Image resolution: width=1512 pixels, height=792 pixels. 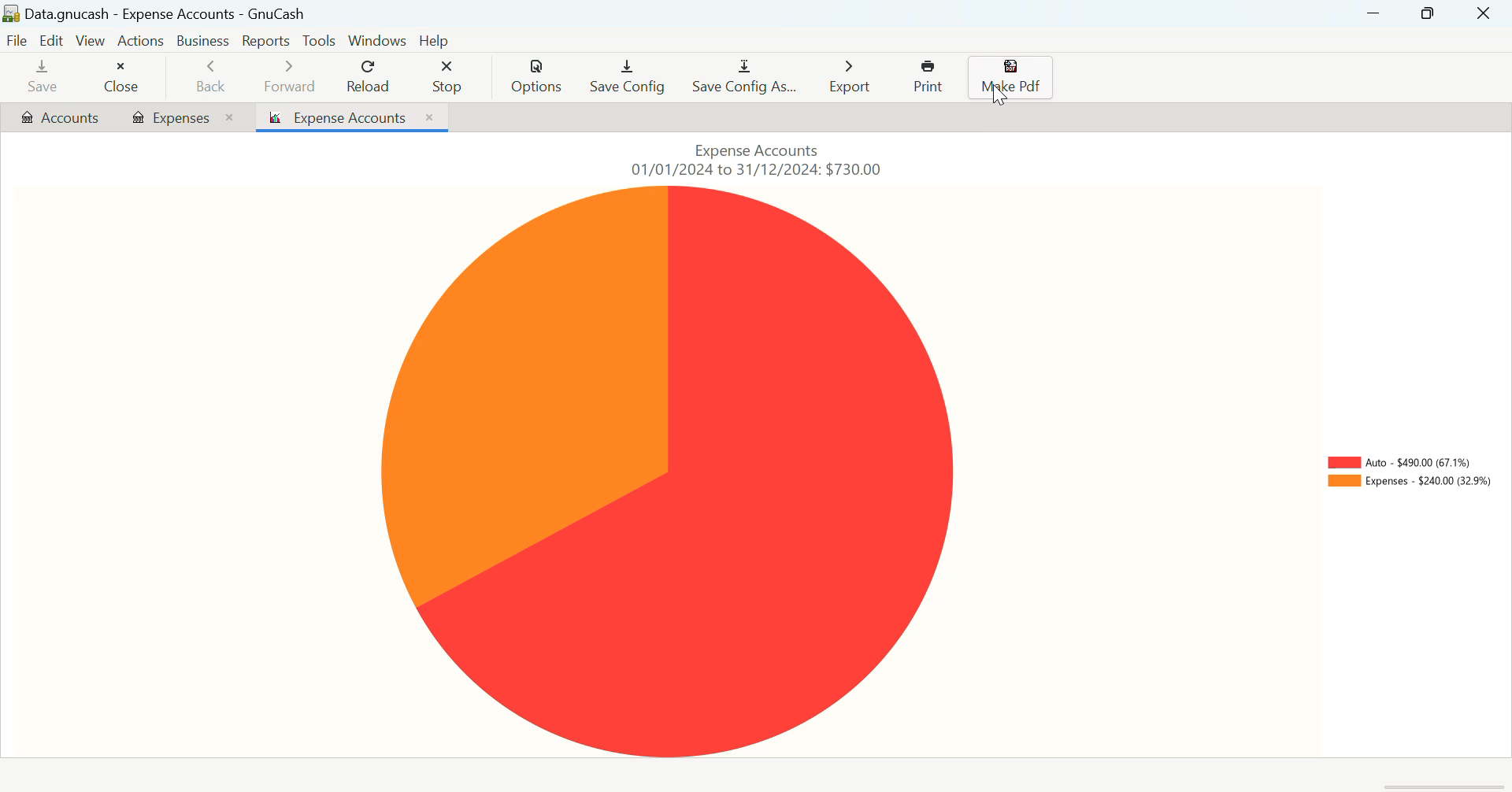 What do you see at coordinates (60, 119) in the screenshot?
I see `Accounts Tab` at bounding box center [60, 119].